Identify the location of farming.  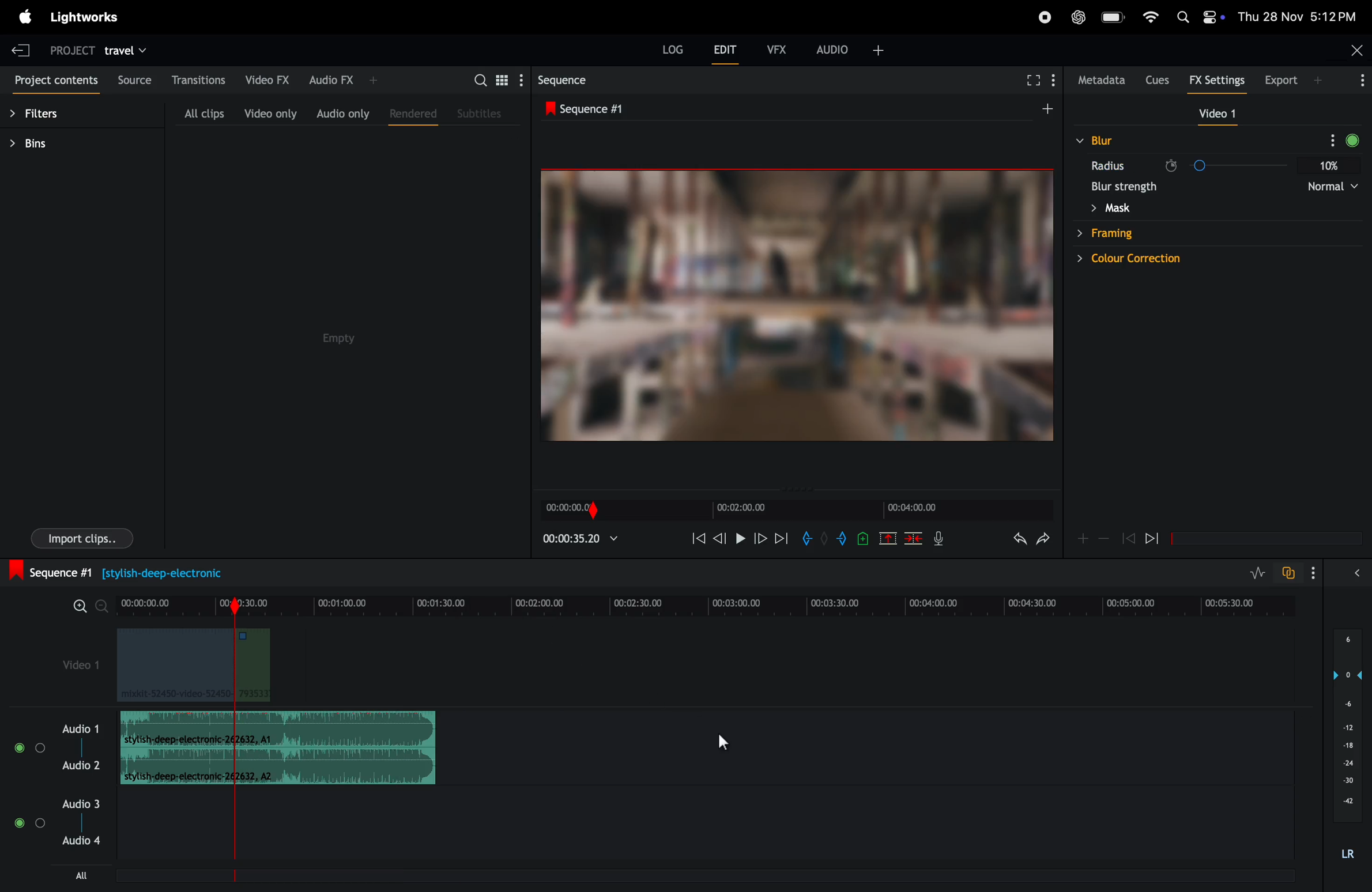
(1218, 234).